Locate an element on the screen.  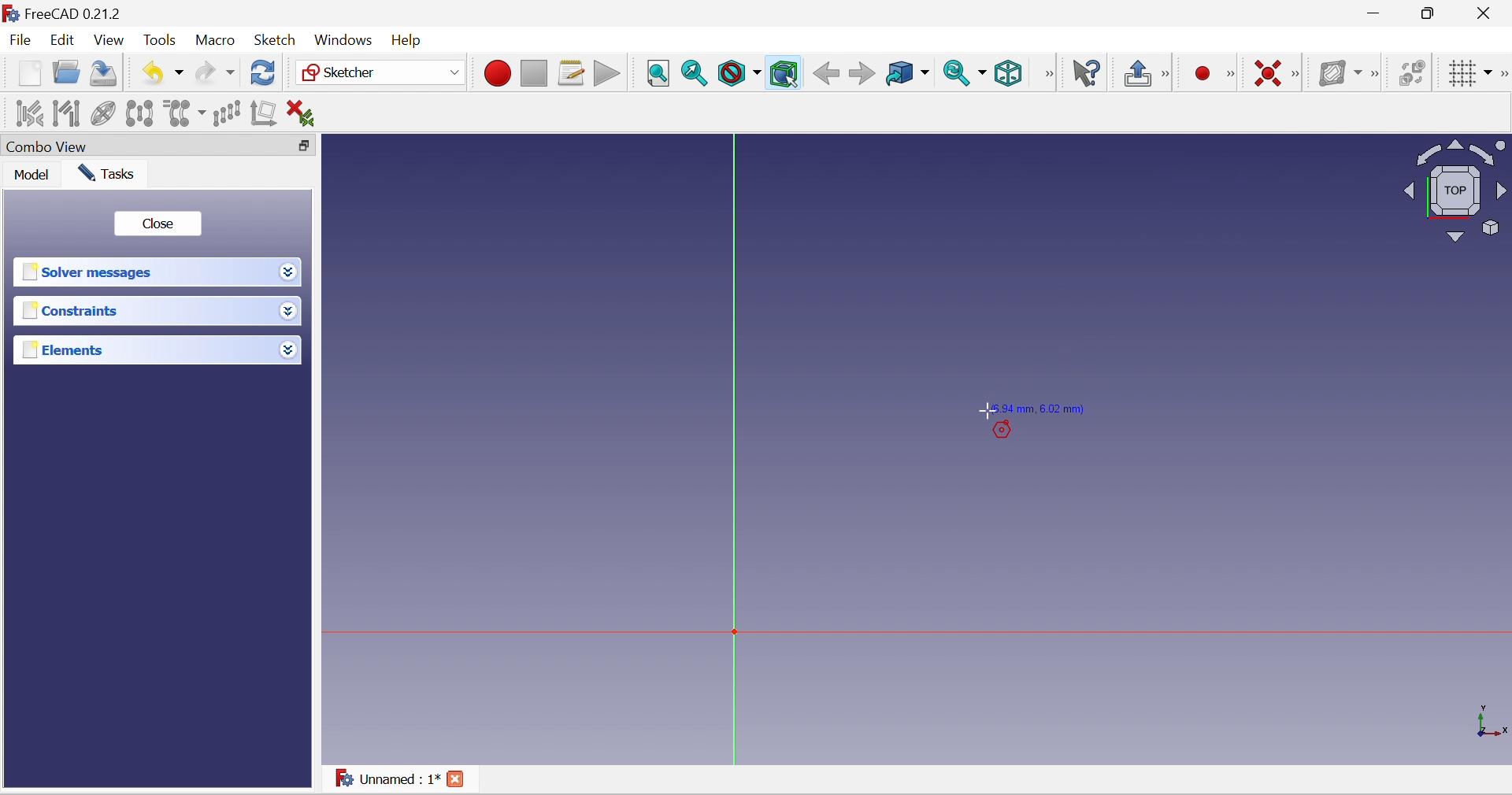
Isometric is located at coordinates (1009, 73).